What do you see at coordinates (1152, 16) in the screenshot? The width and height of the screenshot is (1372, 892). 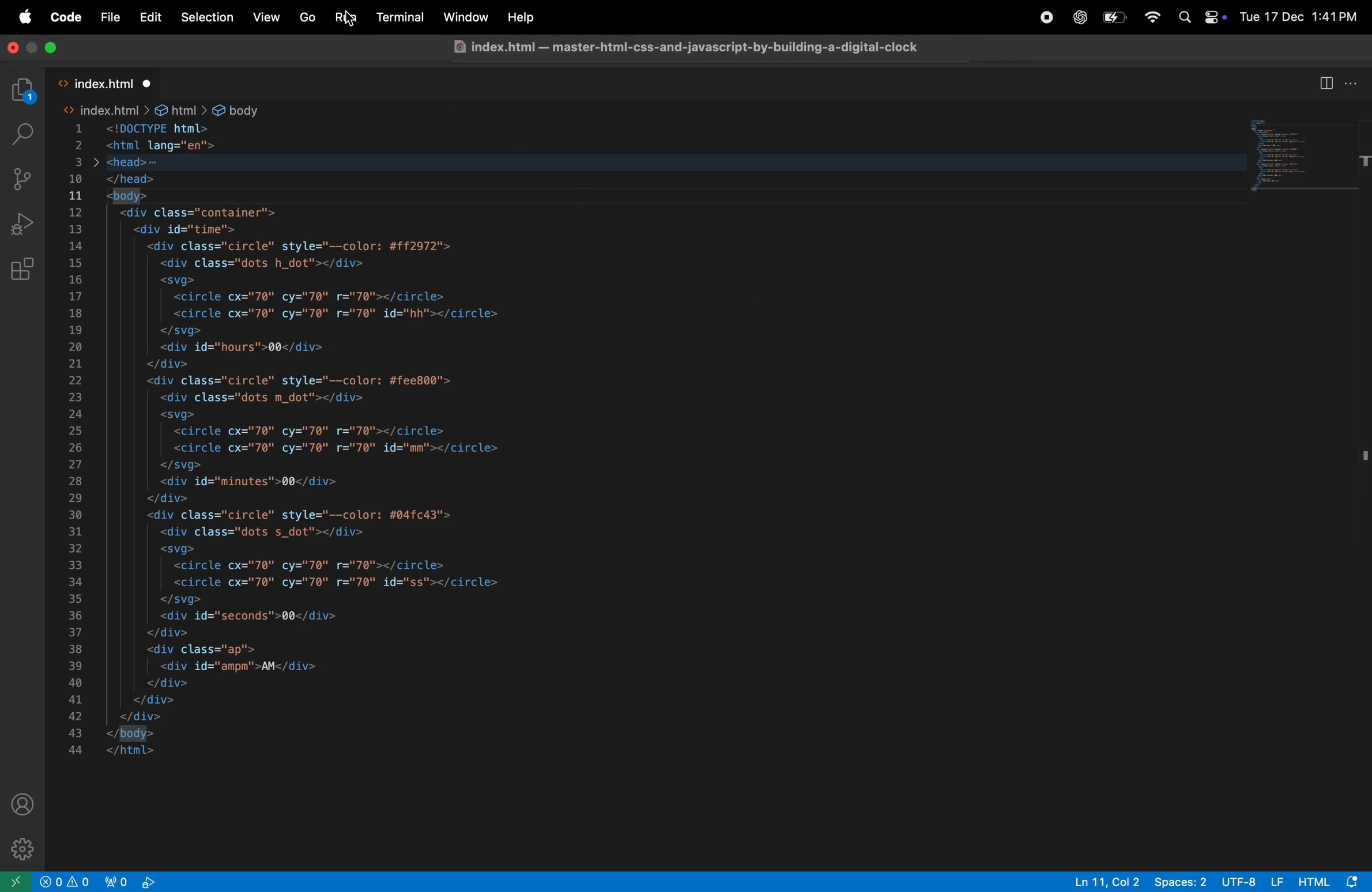 I see `wifi` at bounding box center [1152, 16].